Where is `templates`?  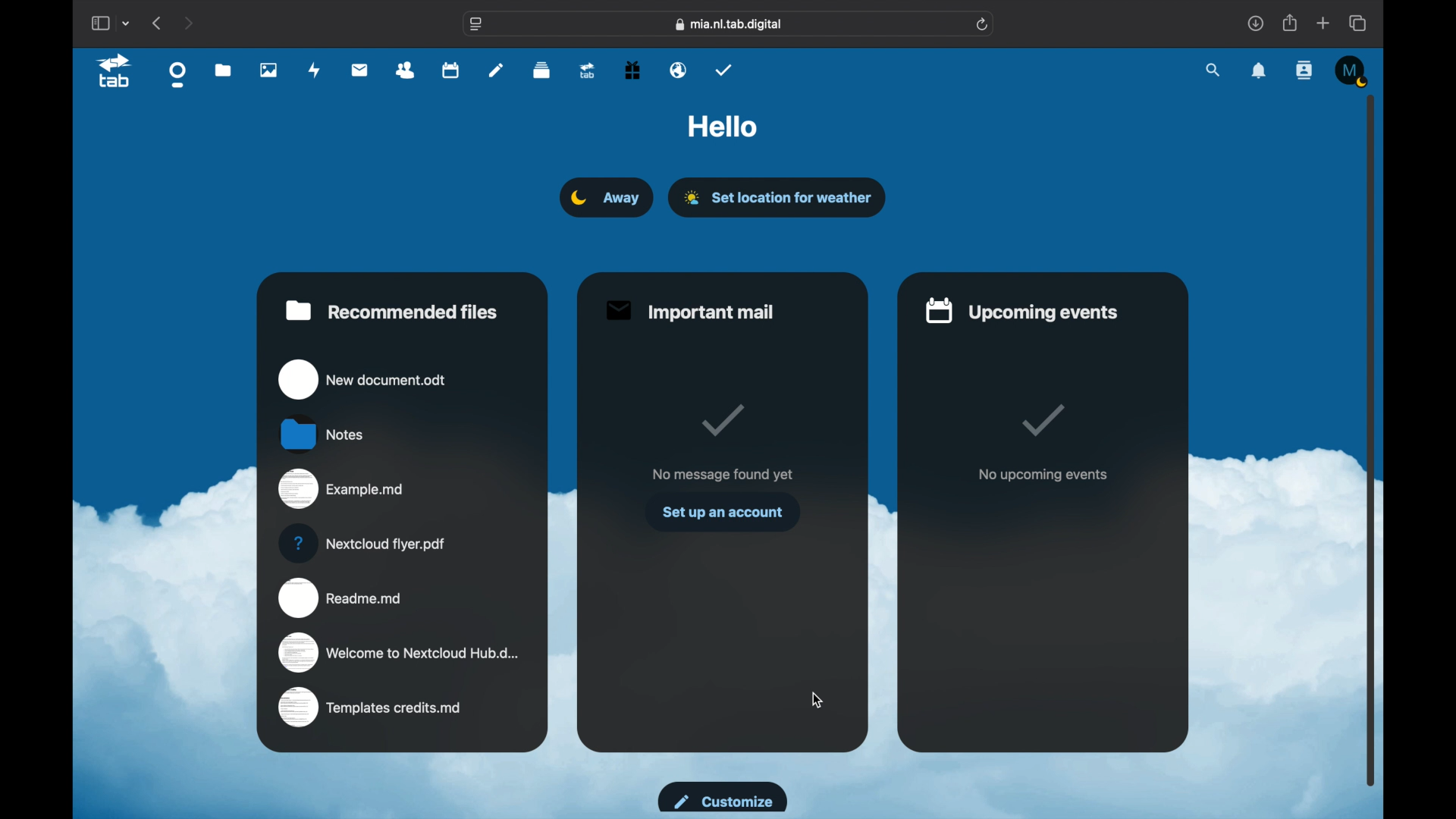
templates is located at coordinates (370, 708).